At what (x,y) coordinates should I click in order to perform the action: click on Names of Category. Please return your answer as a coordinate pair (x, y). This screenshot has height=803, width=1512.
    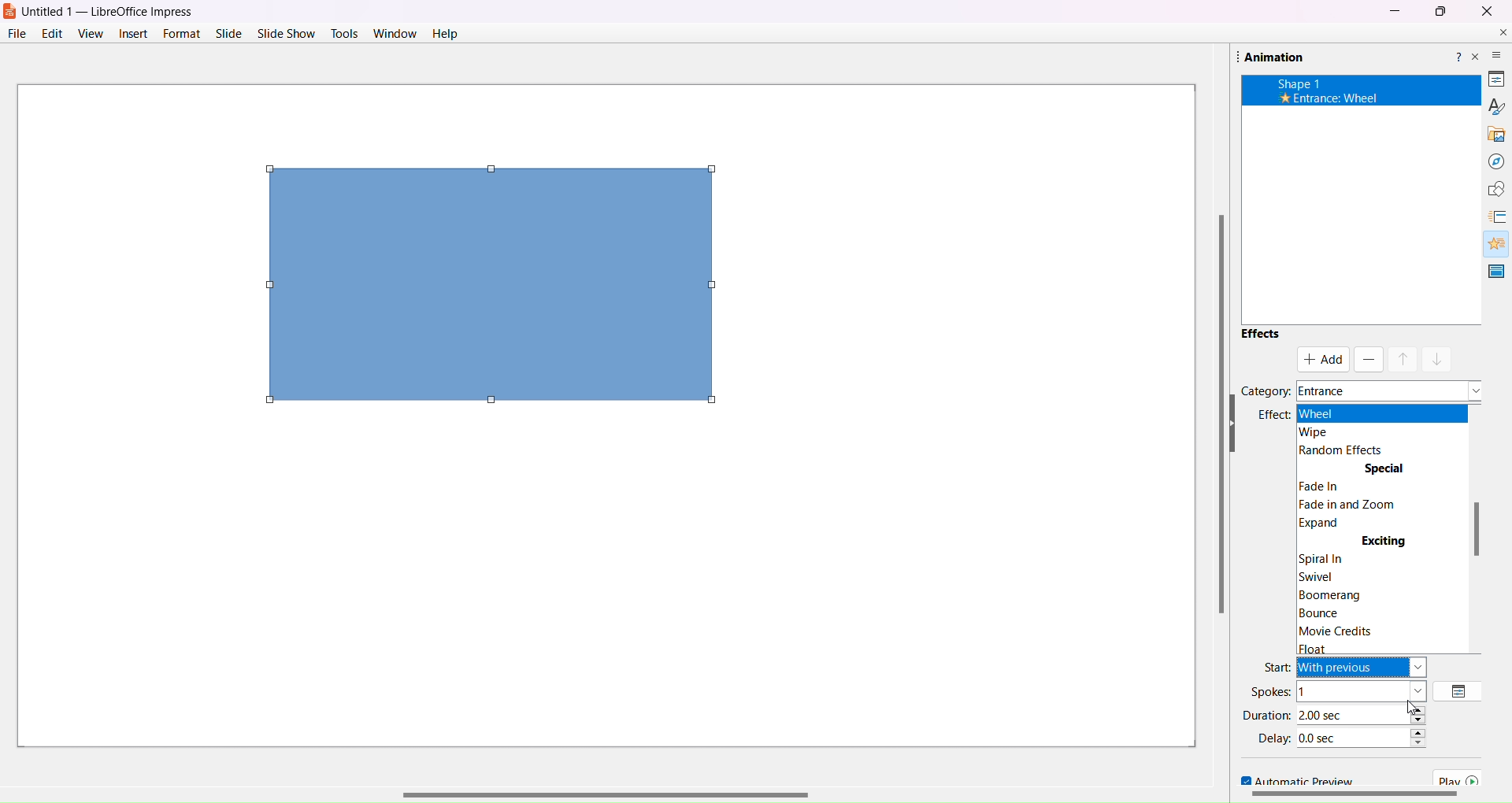
    Looking at the image, I should click on (1387, 385).